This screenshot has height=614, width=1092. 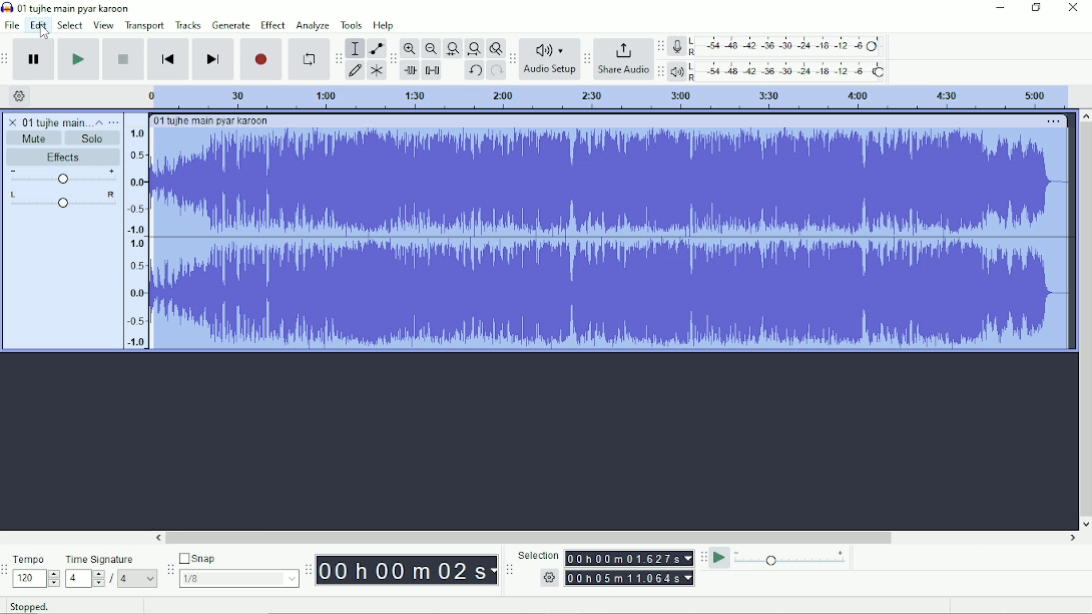 What do you see at coordinates (509, 570) in the screenshot?
I see `Audacity selection toolbar` at bounding box center [509, 570].